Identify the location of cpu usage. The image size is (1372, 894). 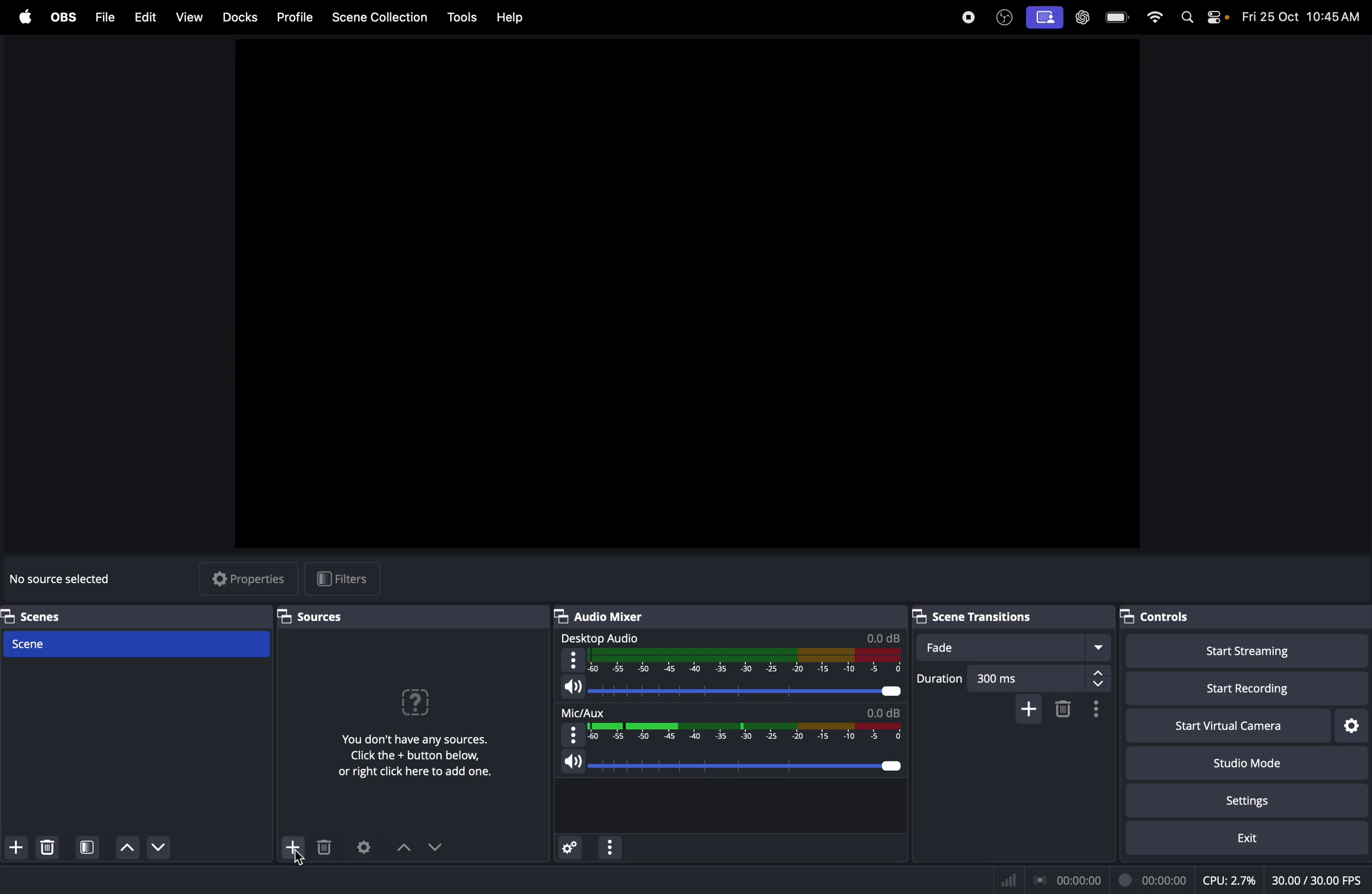
(1232, 878).